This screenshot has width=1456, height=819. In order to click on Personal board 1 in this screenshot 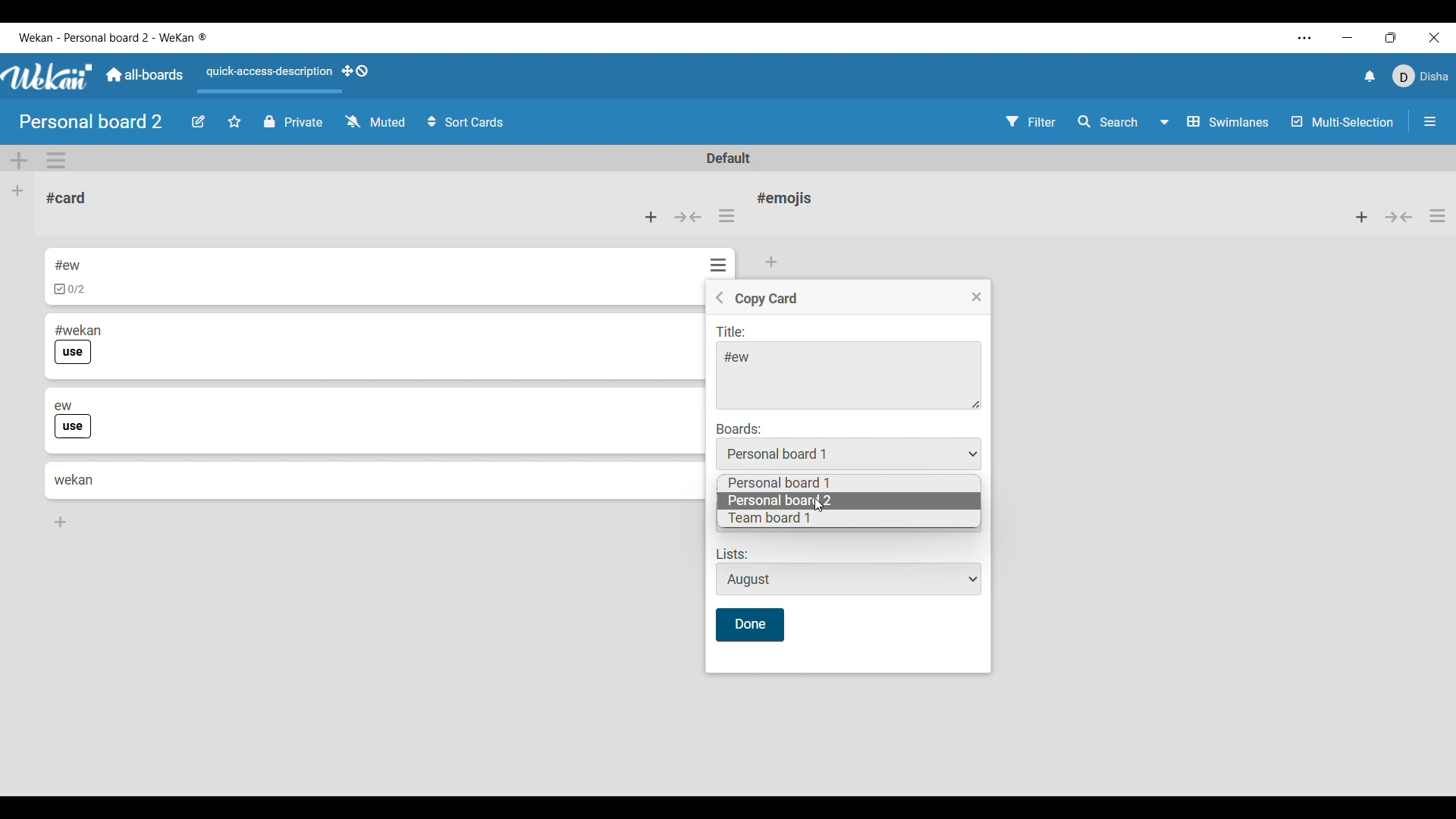, I will do `click(850, 482)`.